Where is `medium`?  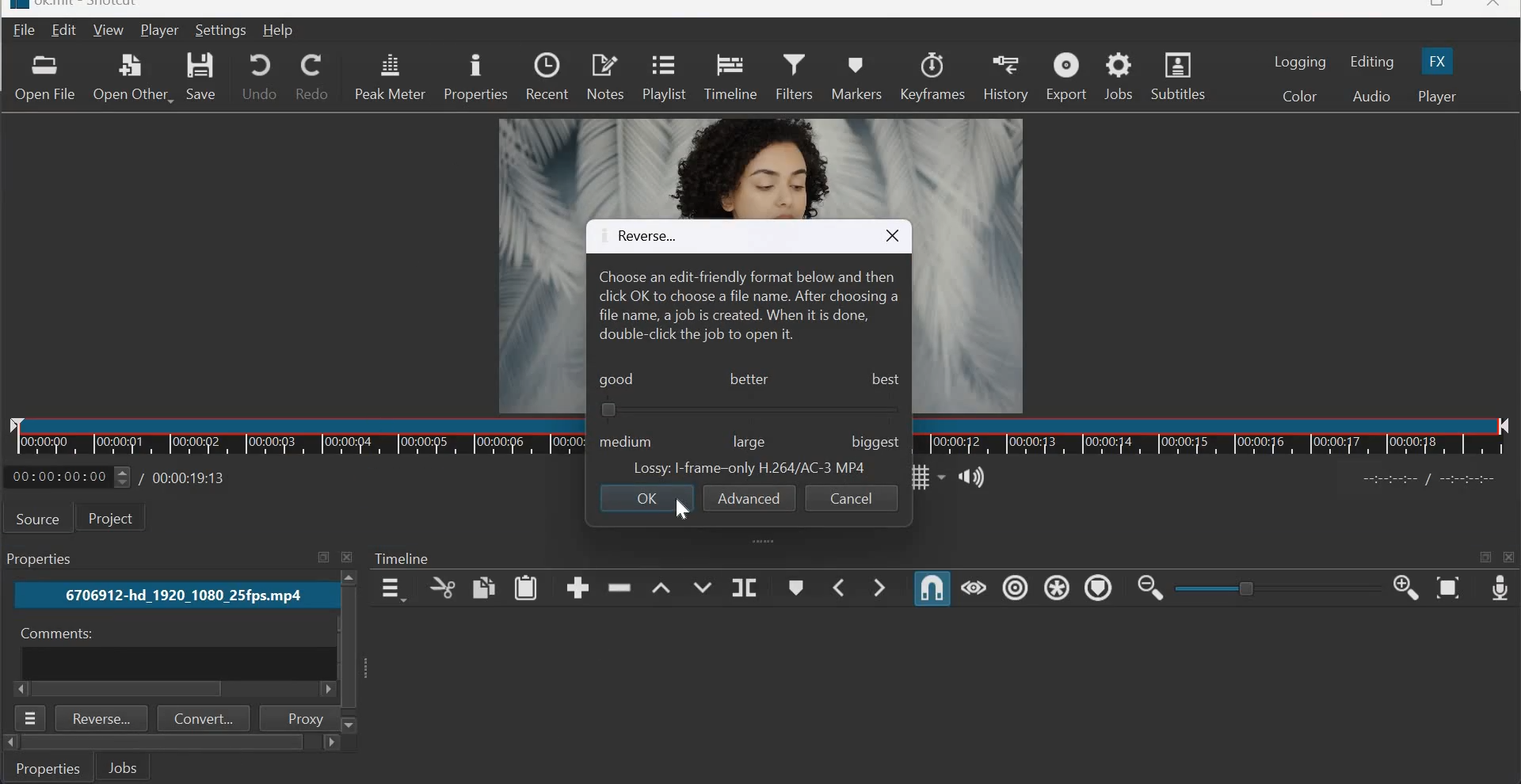
medium is located at coordinates (627, 439).